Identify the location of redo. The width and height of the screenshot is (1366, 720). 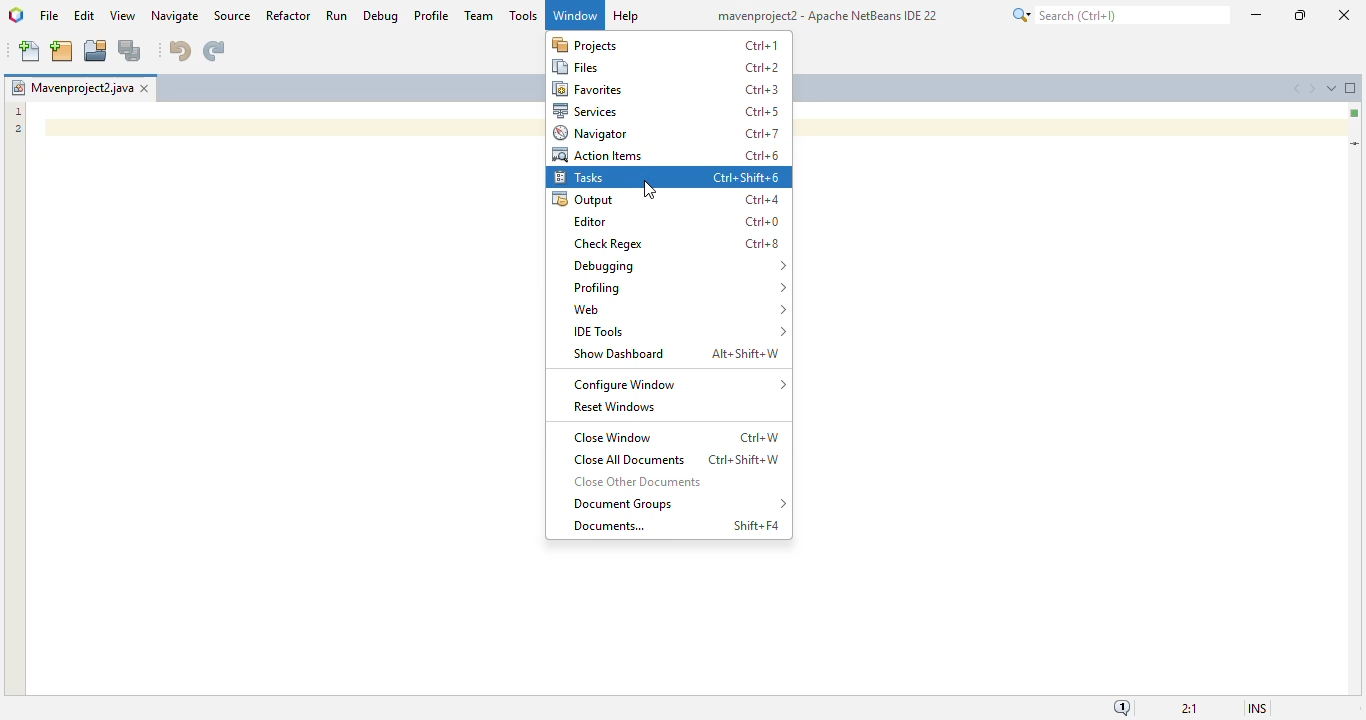
(214, 51).